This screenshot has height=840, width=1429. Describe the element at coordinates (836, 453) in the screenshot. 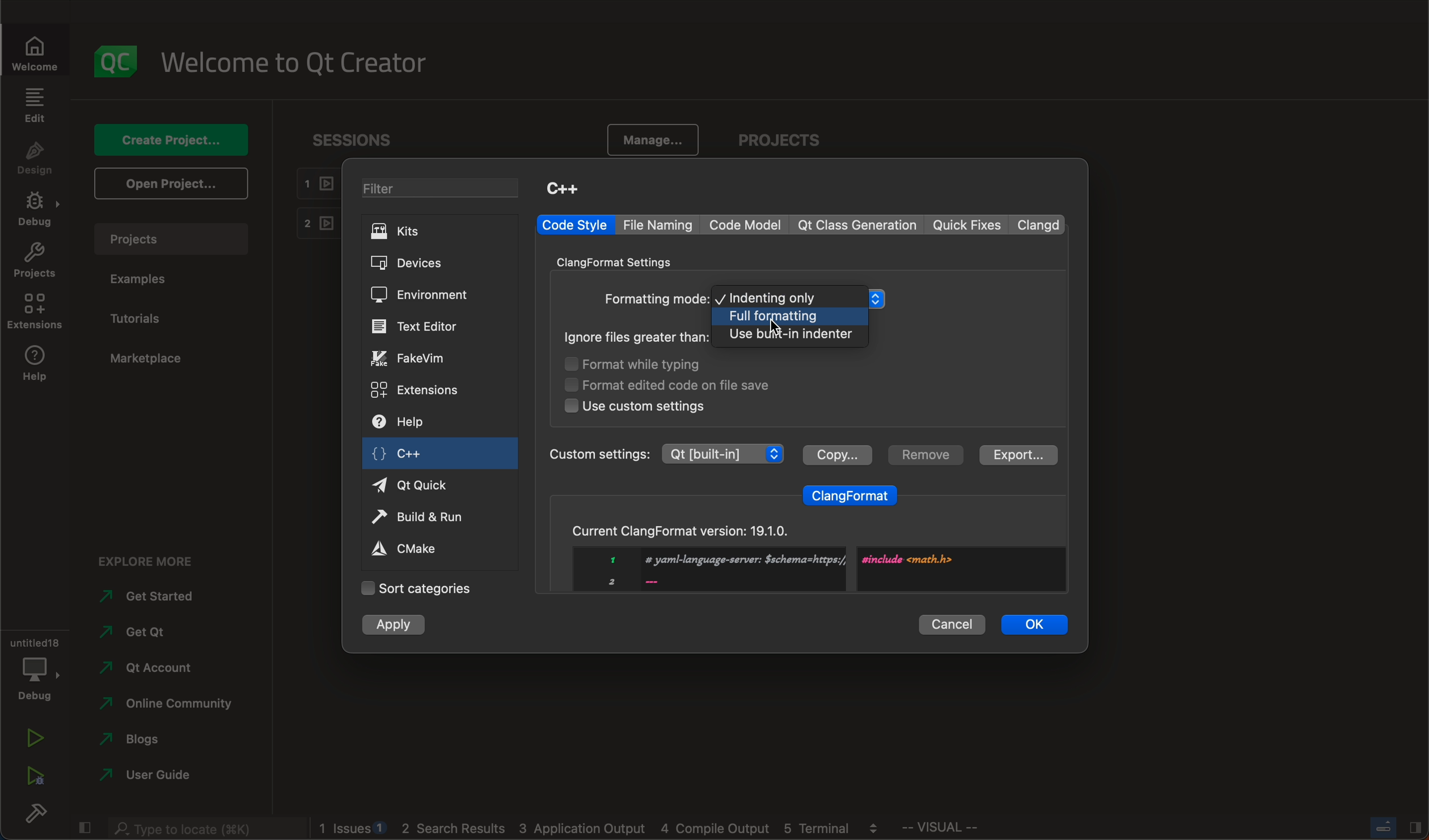

I see `copy` at that location.